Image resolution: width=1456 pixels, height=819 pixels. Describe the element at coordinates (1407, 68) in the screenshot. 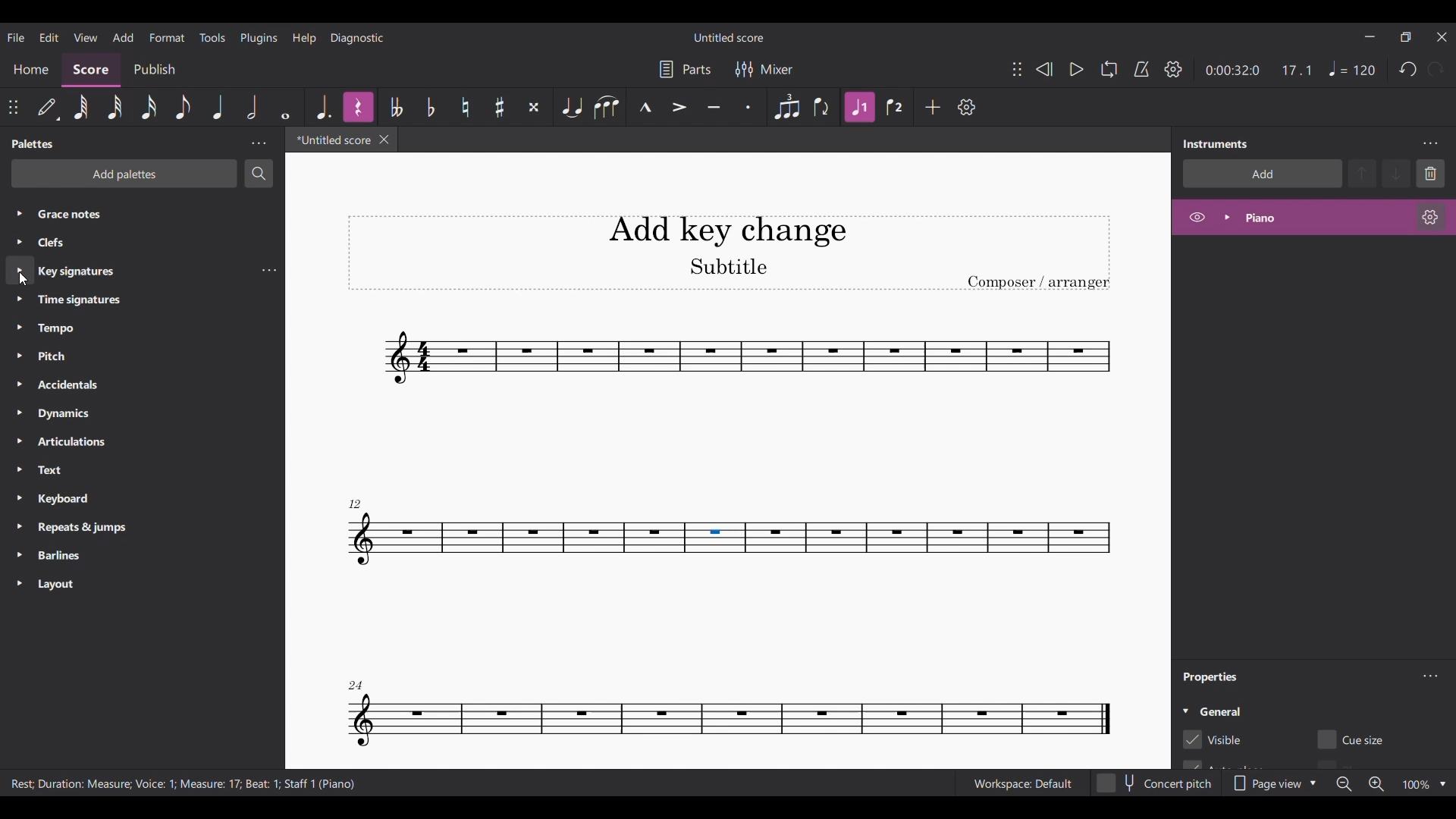

I see `Undo` at that location.